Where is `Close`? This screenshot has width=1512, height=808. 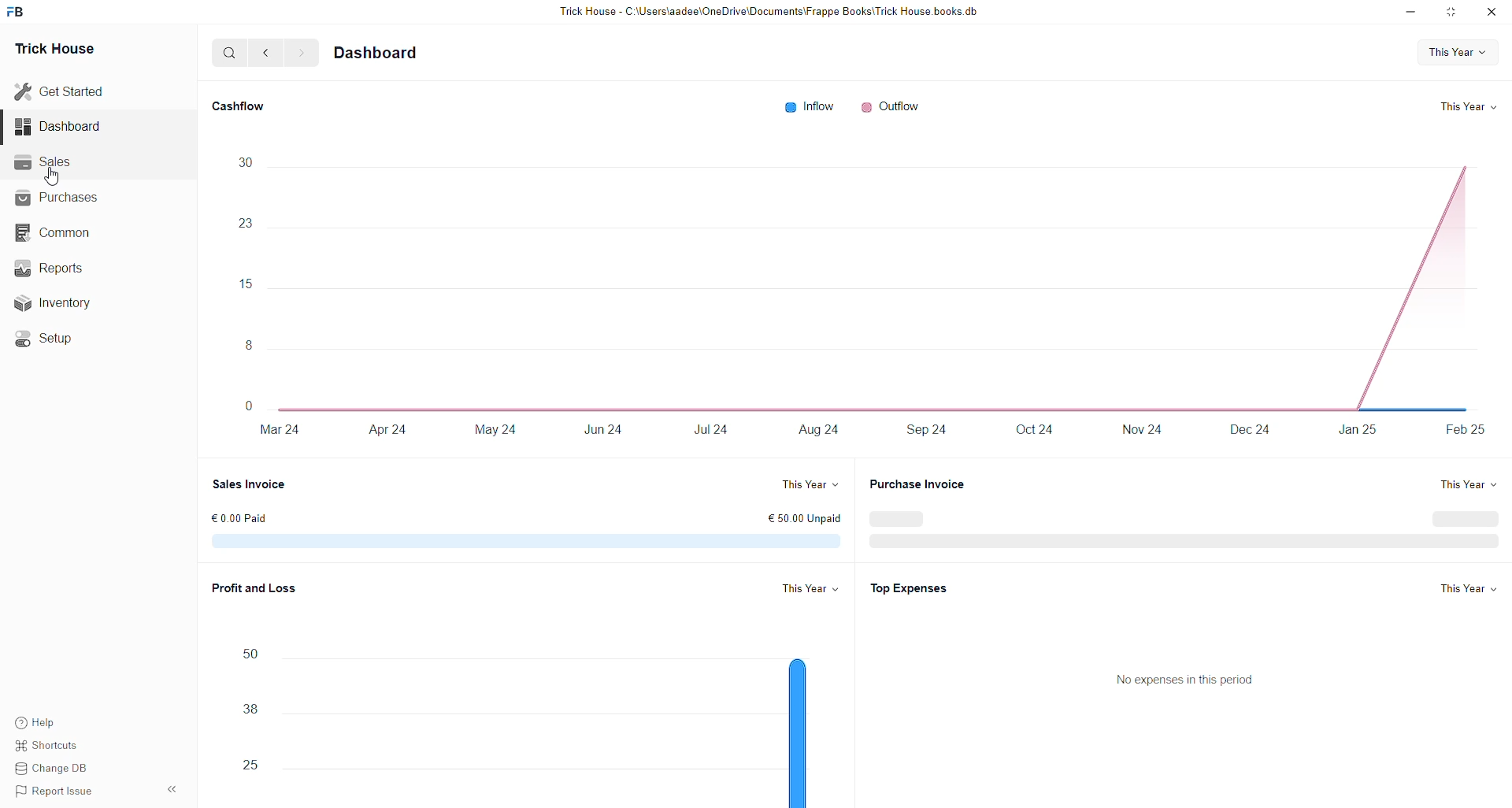 Close is located at coordinates (1491, 13).